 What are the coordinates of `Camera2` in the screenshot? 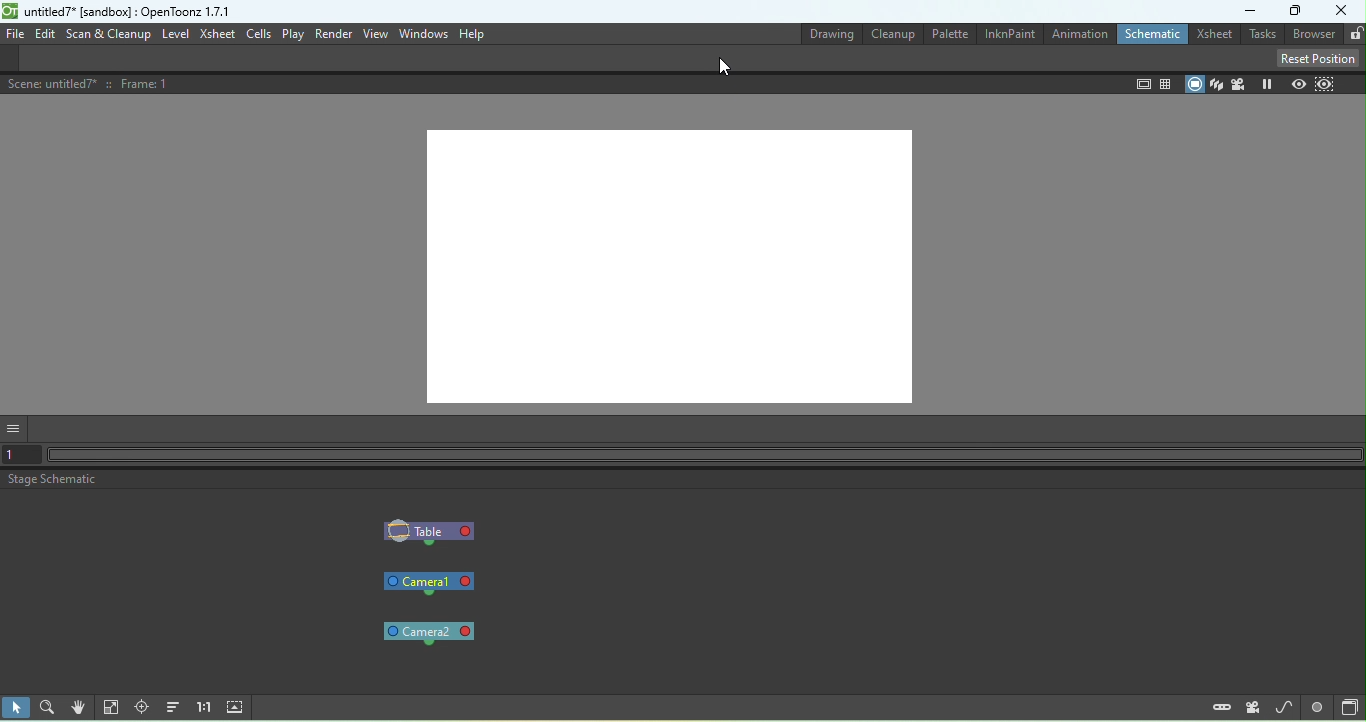 It's located at (427, 634).